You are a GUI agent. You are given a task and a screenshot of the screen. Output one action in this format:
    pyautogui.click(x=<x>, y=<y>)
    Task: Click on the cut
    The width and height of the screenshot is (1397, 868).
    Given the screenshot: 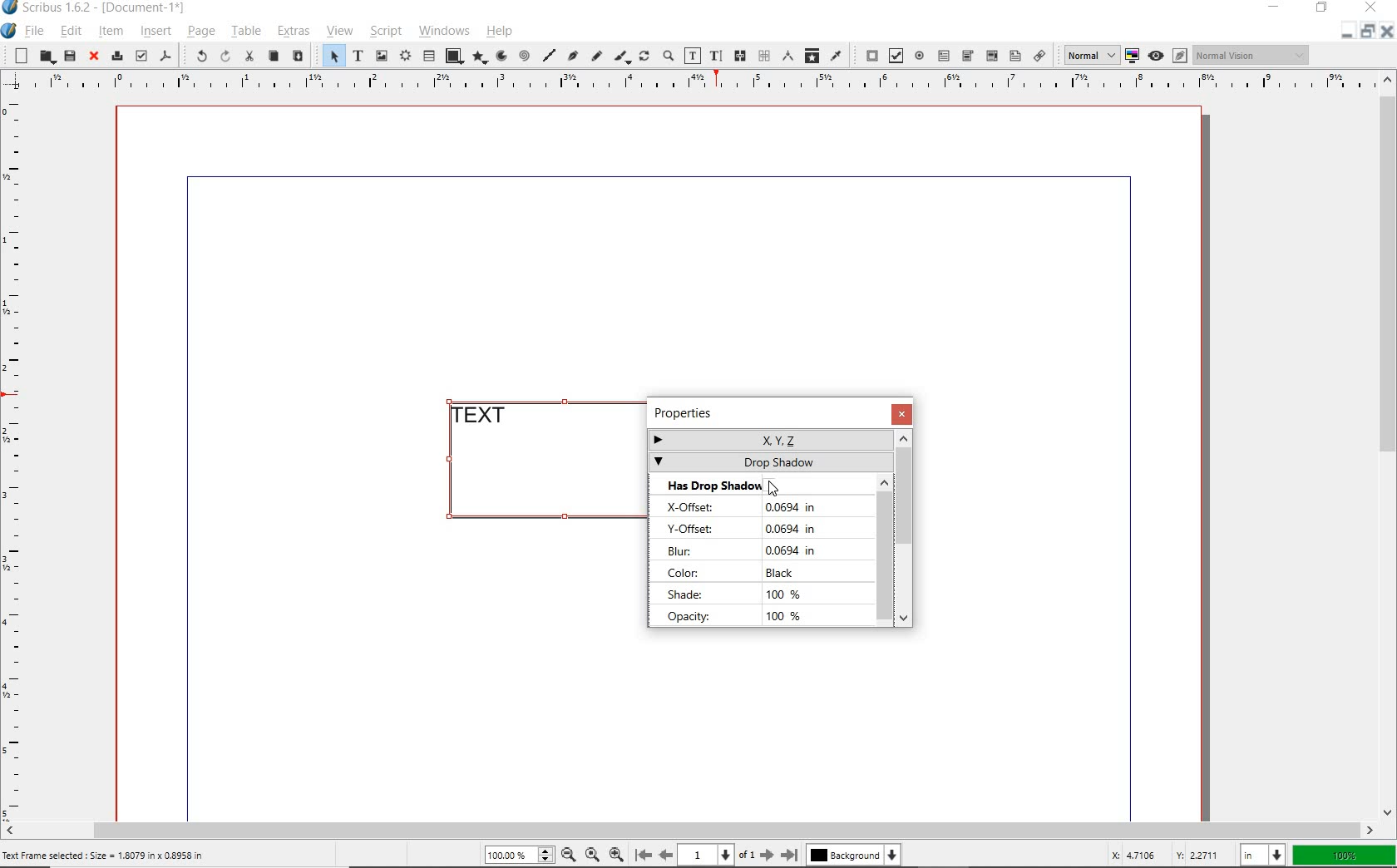 What is the action you would take?
    pyautogui.click(x=249, y=56)
    